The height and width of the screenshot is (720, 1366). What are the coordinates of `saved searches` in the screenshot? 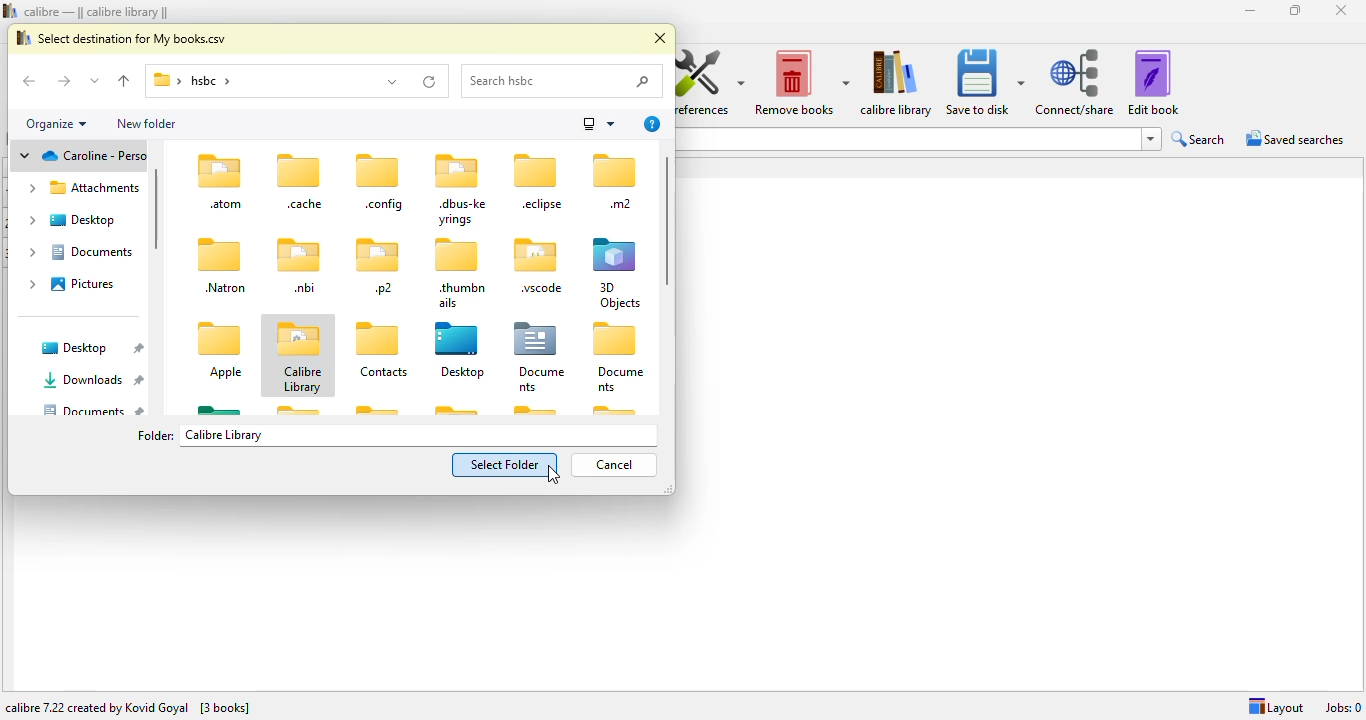 It's located at (1295, 139).